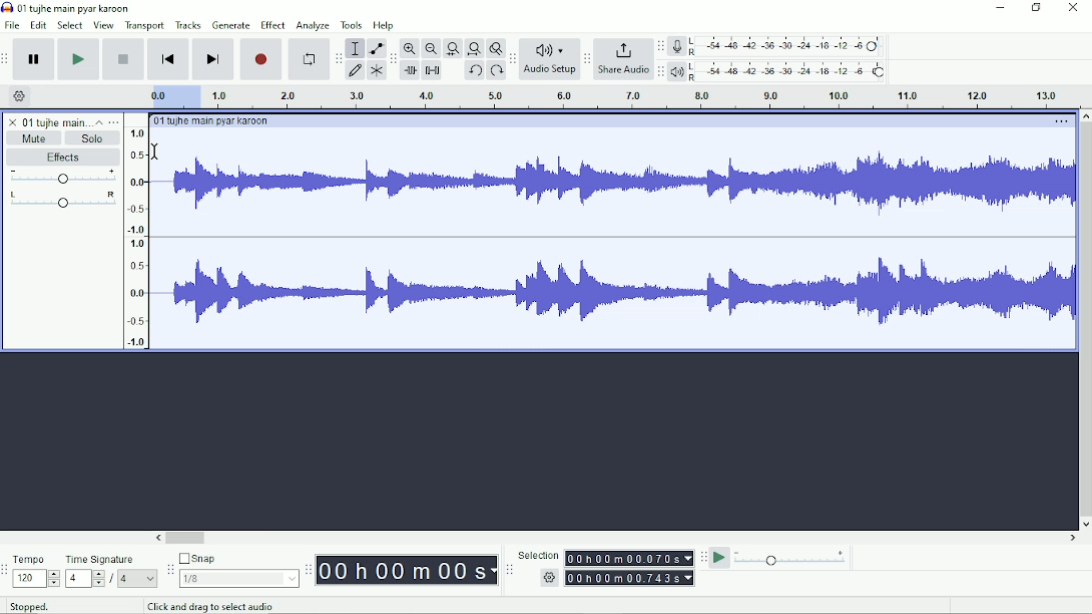  I want to click on Logo, so click(7, 7).